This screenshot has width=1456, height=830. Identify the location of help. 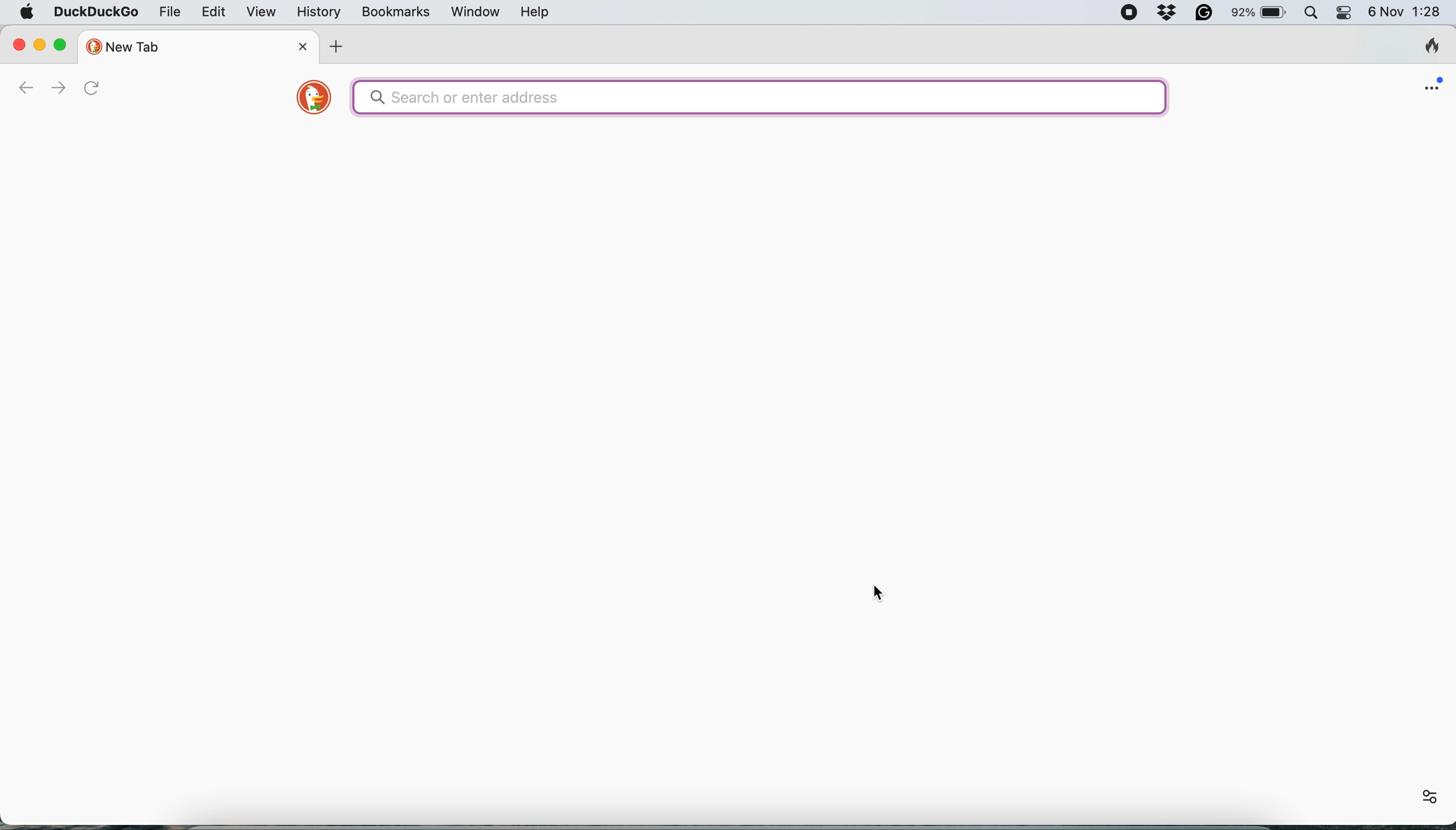
(537, 12).